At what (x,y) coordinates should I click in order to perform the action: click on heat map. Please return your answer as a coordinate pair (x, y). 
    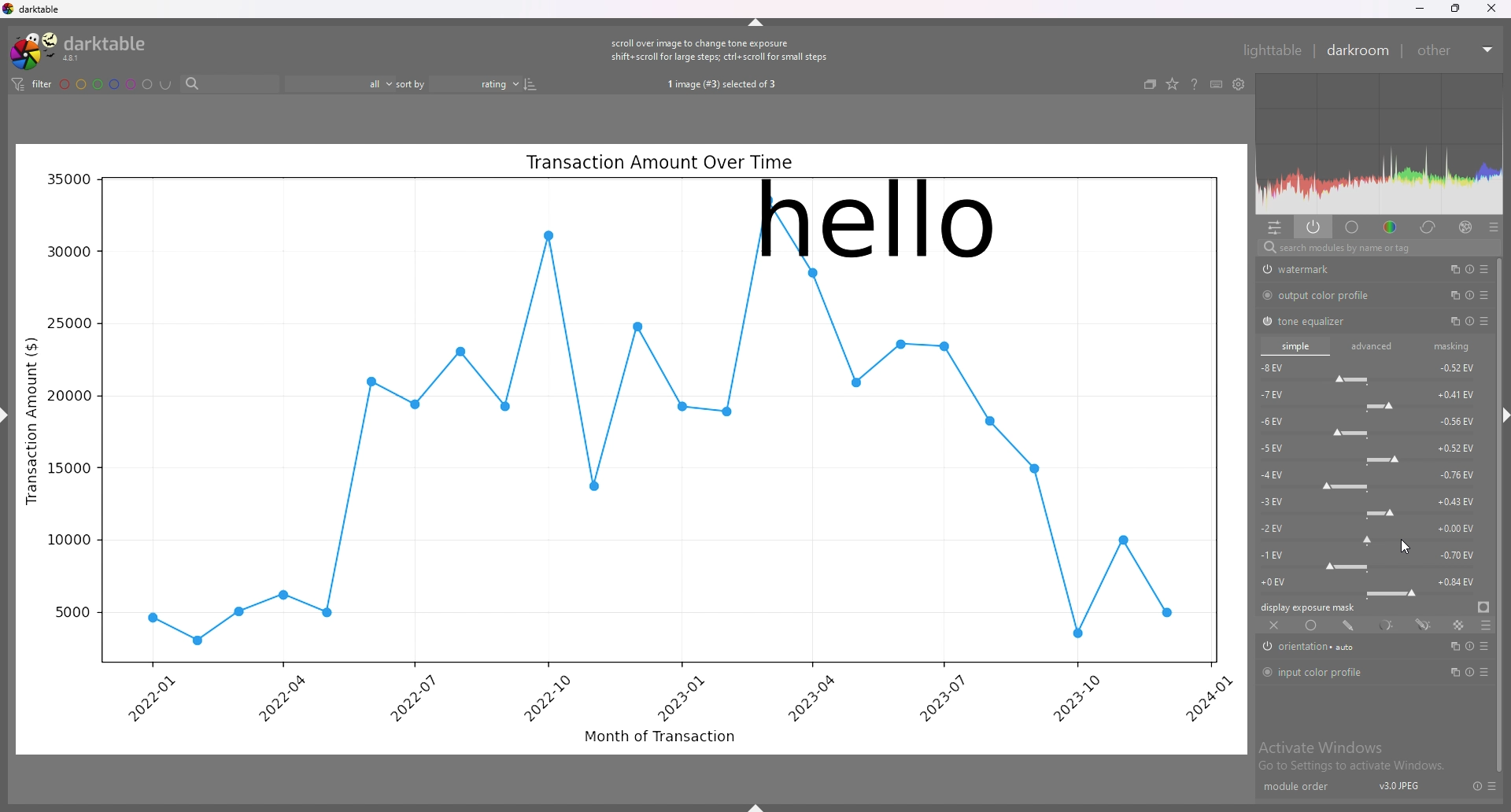
    Looking at the image, I should click on (1380, 143).